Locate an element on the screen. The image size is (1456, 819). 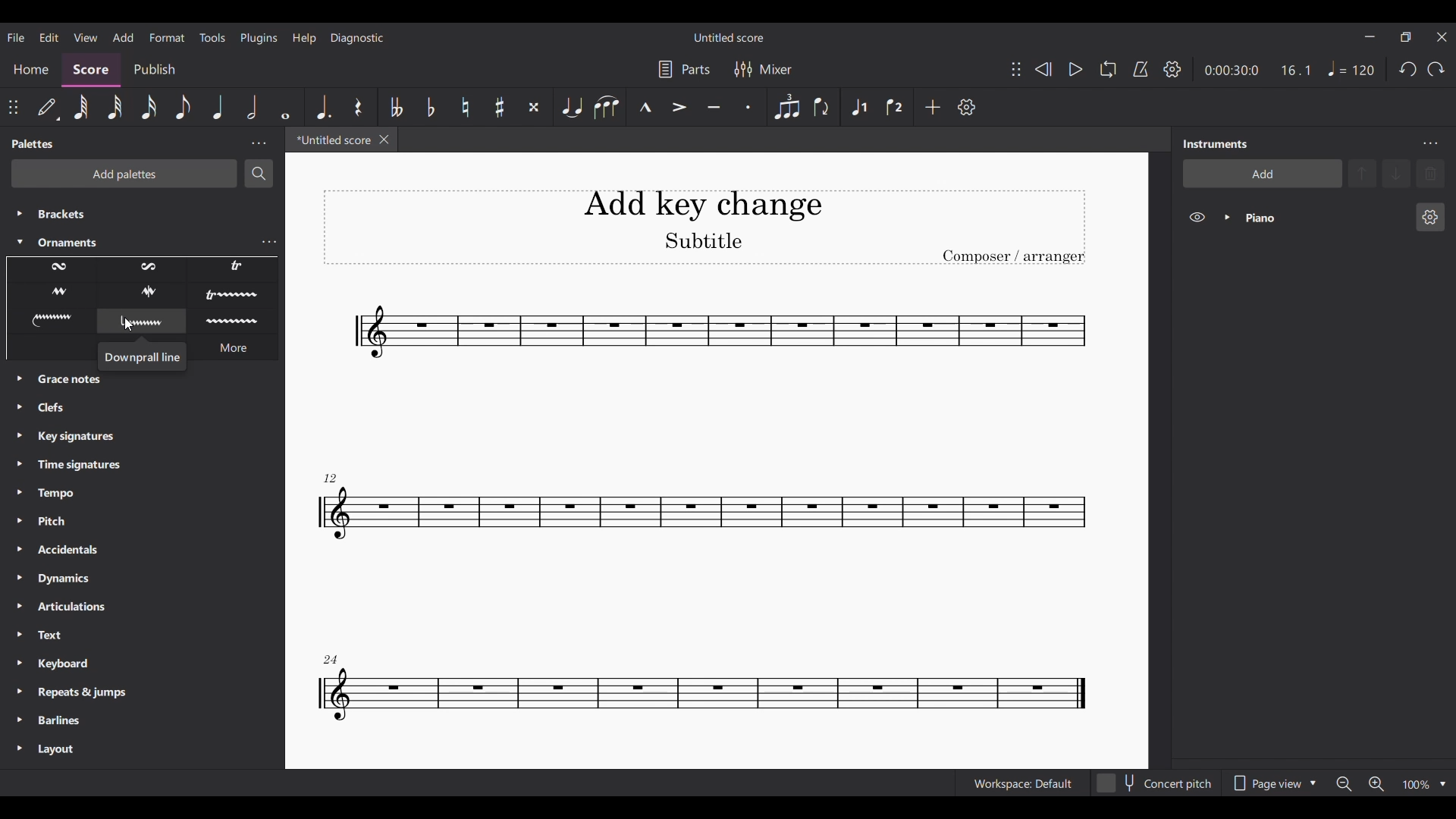
Toggle flat is located at coordinates (431, 108).